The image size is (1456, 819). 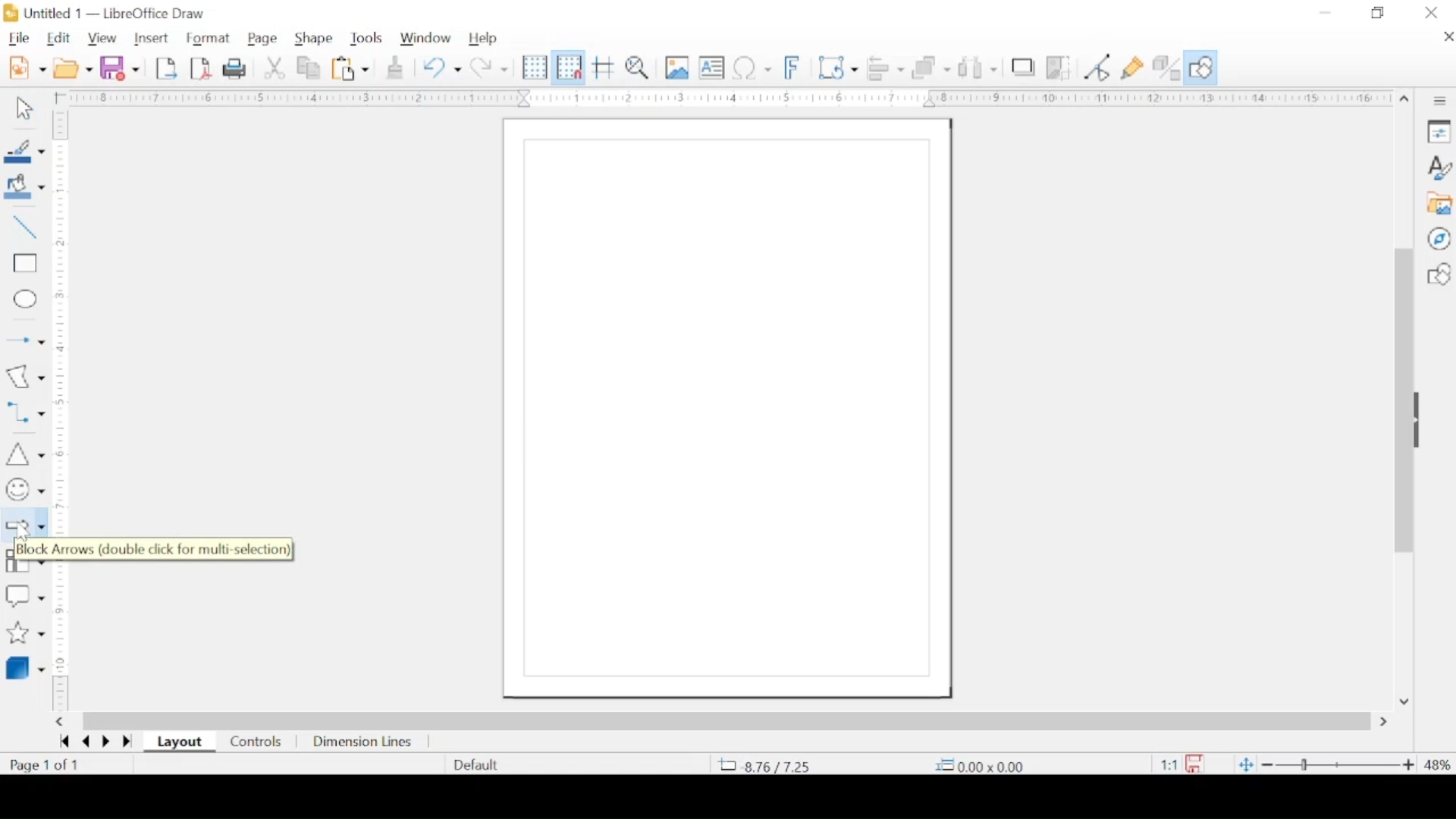 What do you see at coordinates (1244, 764) in the screenshot?
I see `fit to current. window` at bounding box center [1244, 764].